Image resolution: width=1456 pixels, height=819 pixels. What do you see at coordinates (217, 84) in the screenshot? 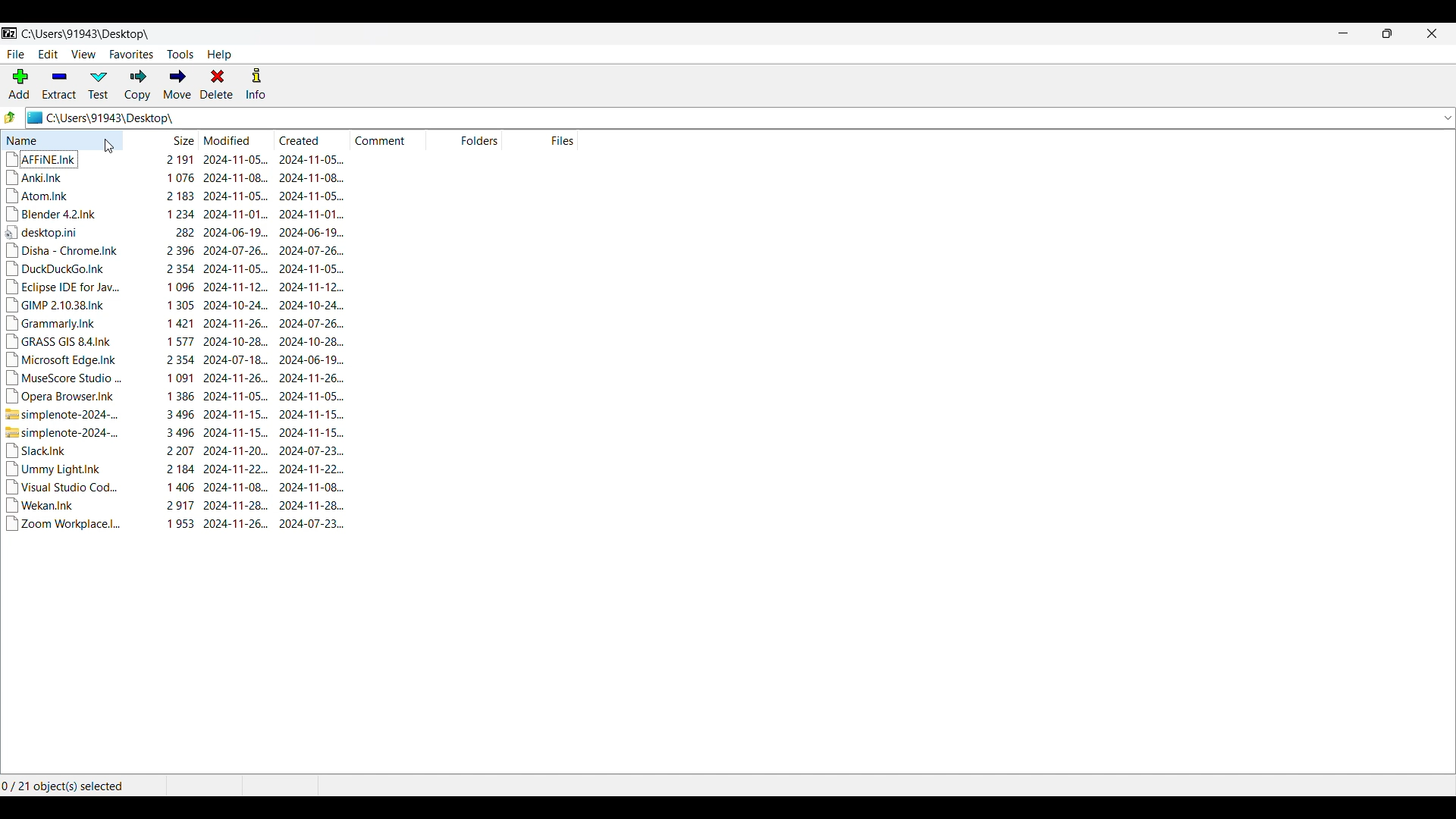
I see `Delete` at bounding box center [217, 84].